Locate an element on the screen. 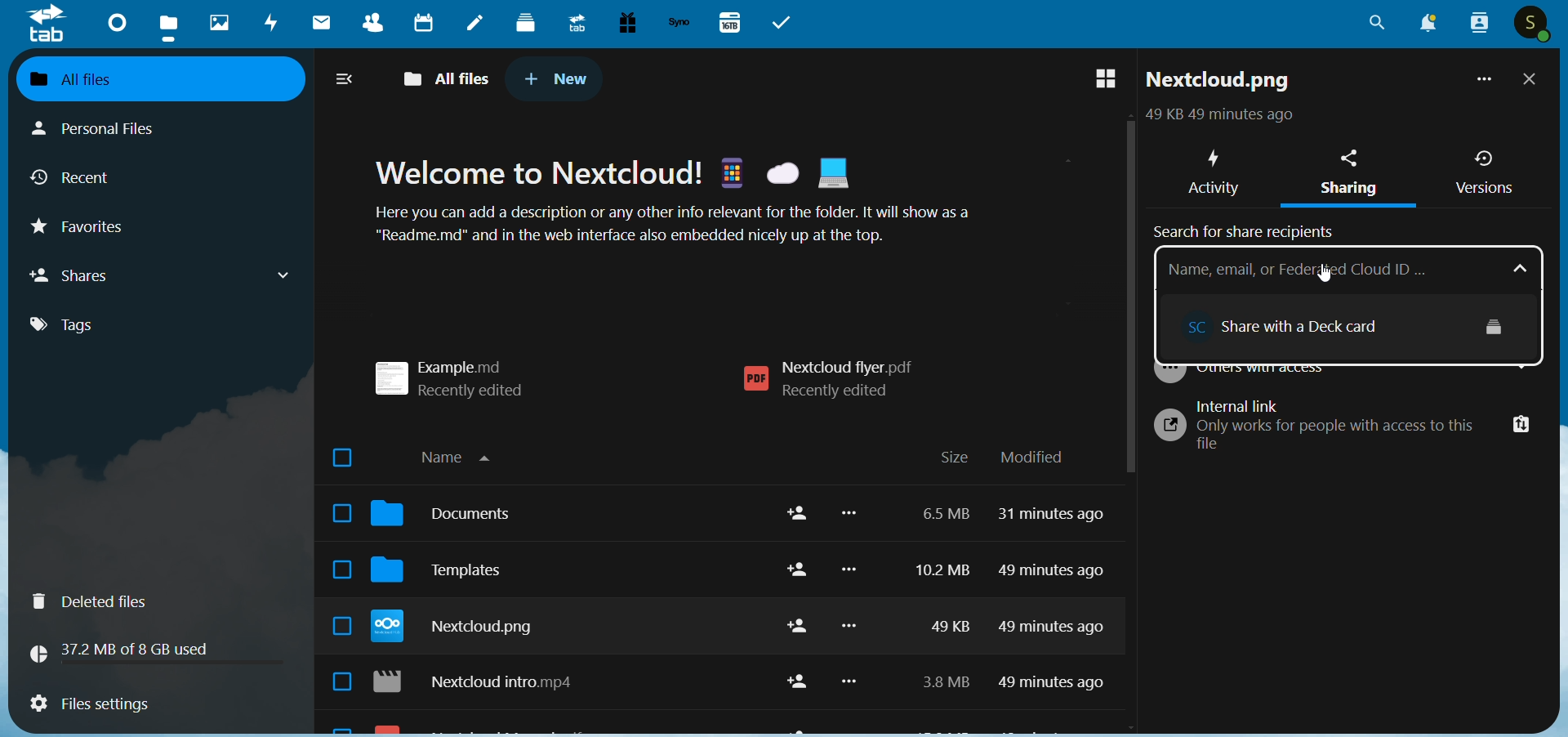 The height and width of the screenshot is (737, 1568). all files is located at coordinates (450, 76).